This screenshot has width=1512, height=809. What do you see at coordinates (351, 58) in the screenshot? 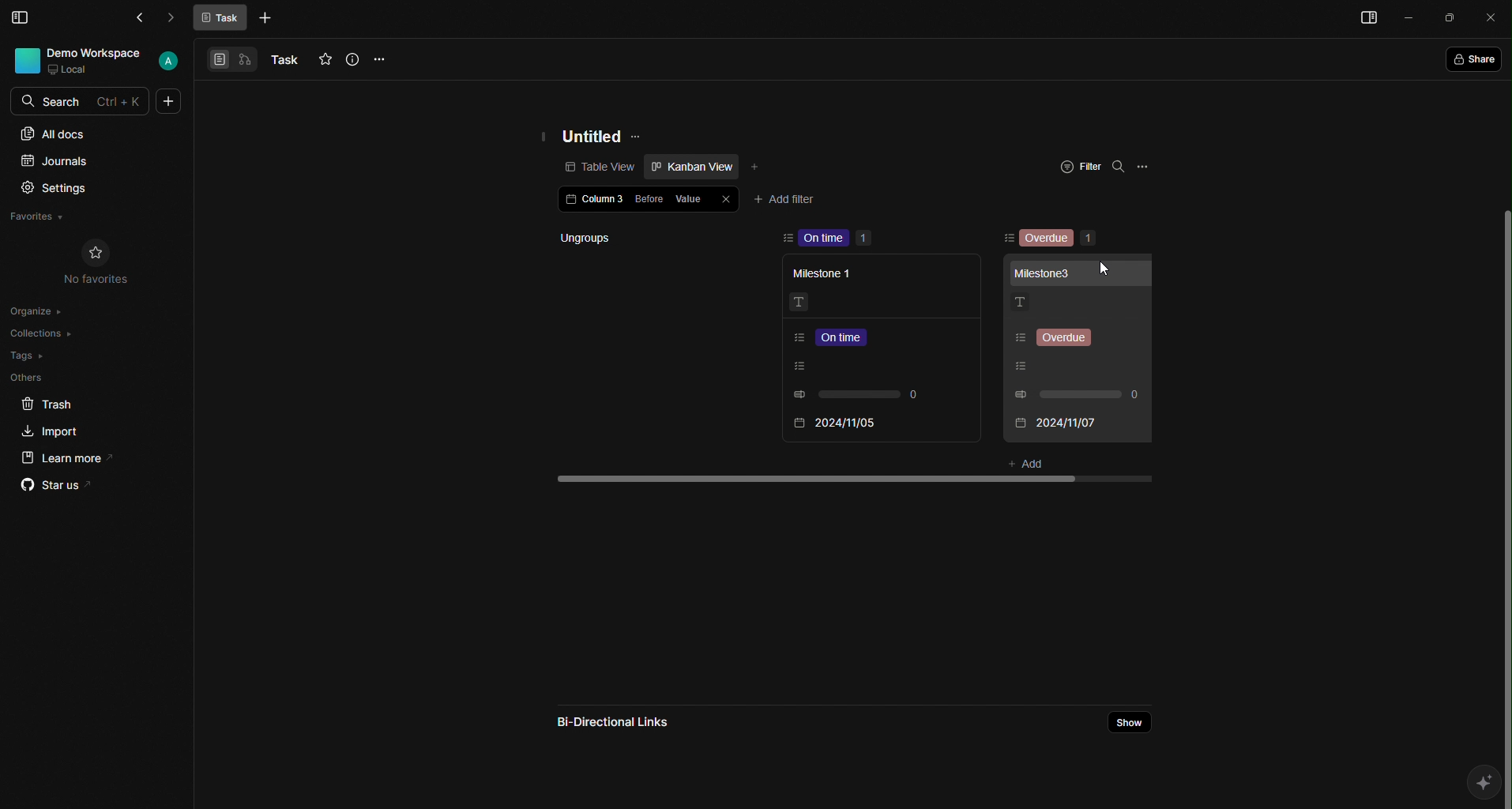
I see `Info` at bounding box center [351, 58].